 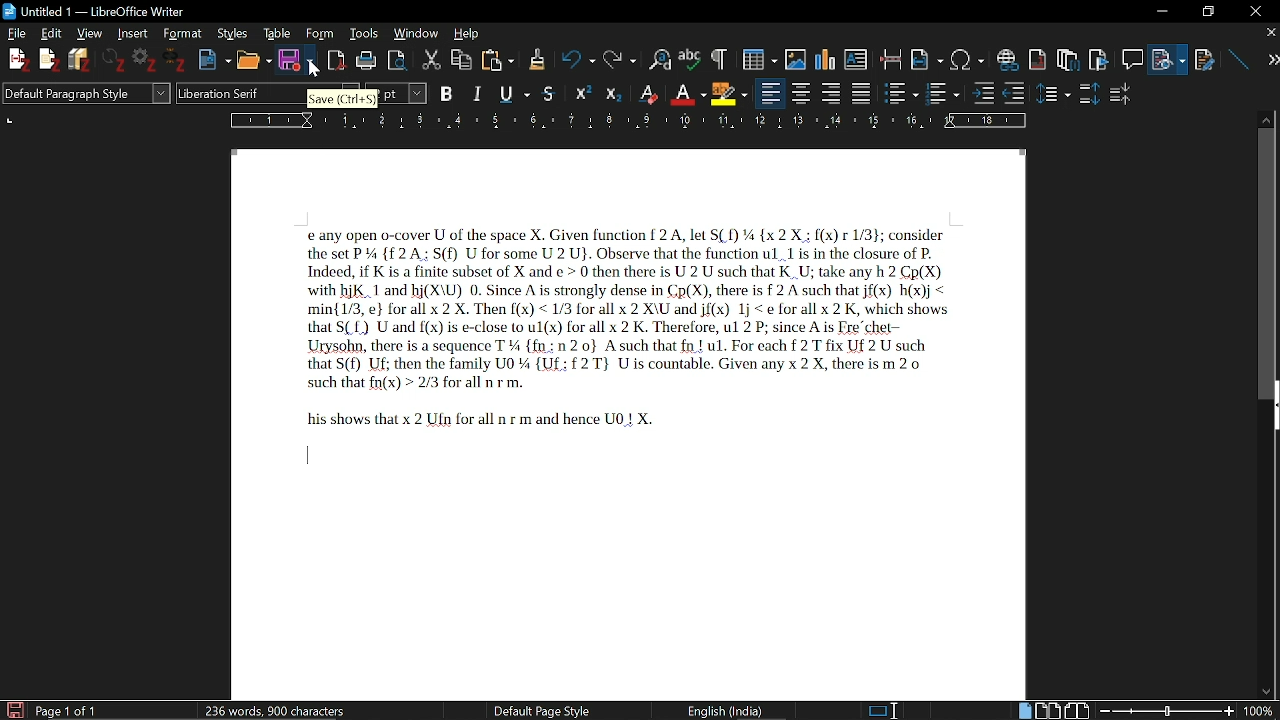 What do you see at coordinates (147, 62) in the screenshot?
I see `Settings` at bounding box center [147, 62].